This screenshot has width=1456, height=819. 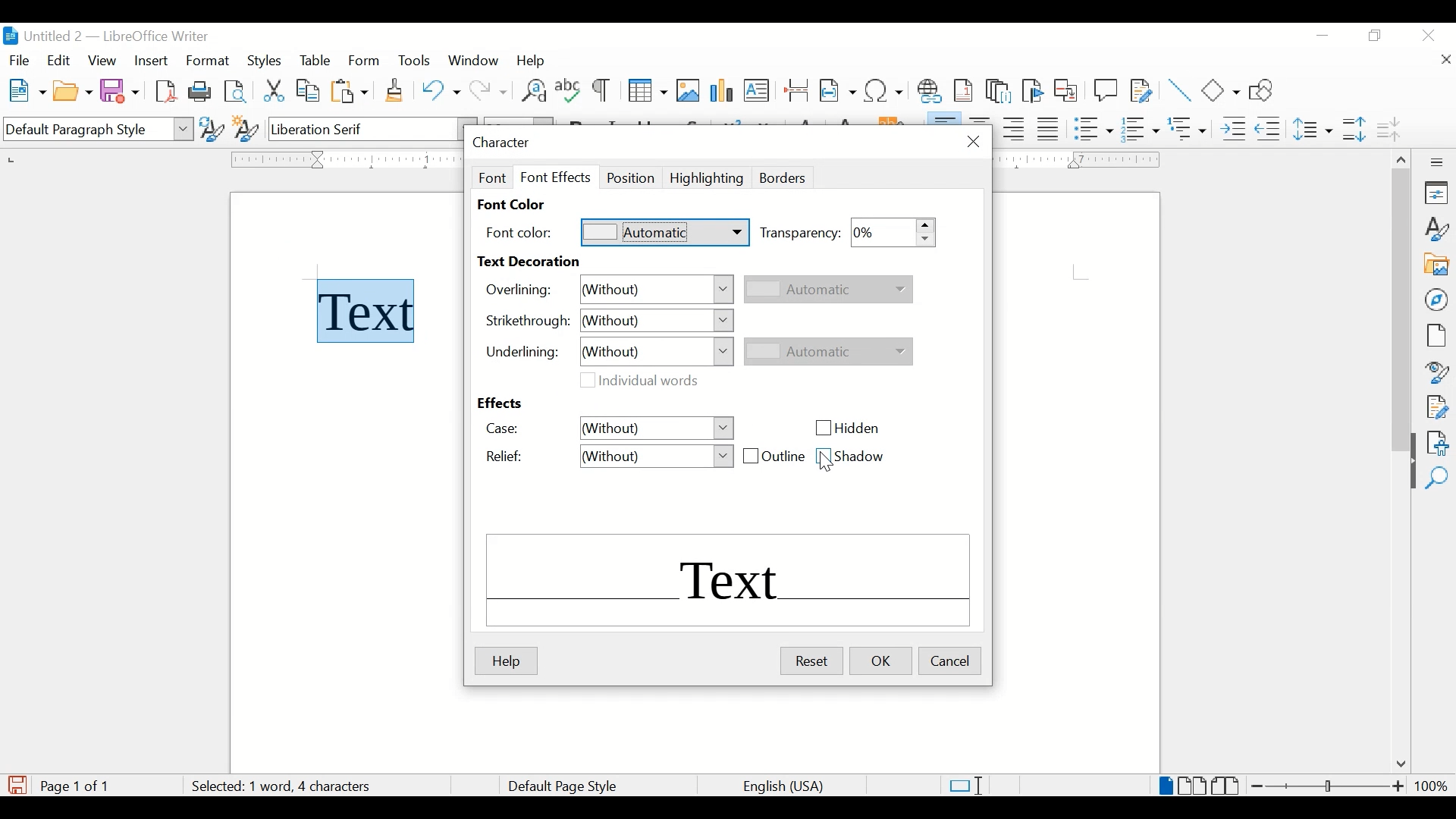 I want to click on decrease paragraph spacing, so click(x=1388, y=128).